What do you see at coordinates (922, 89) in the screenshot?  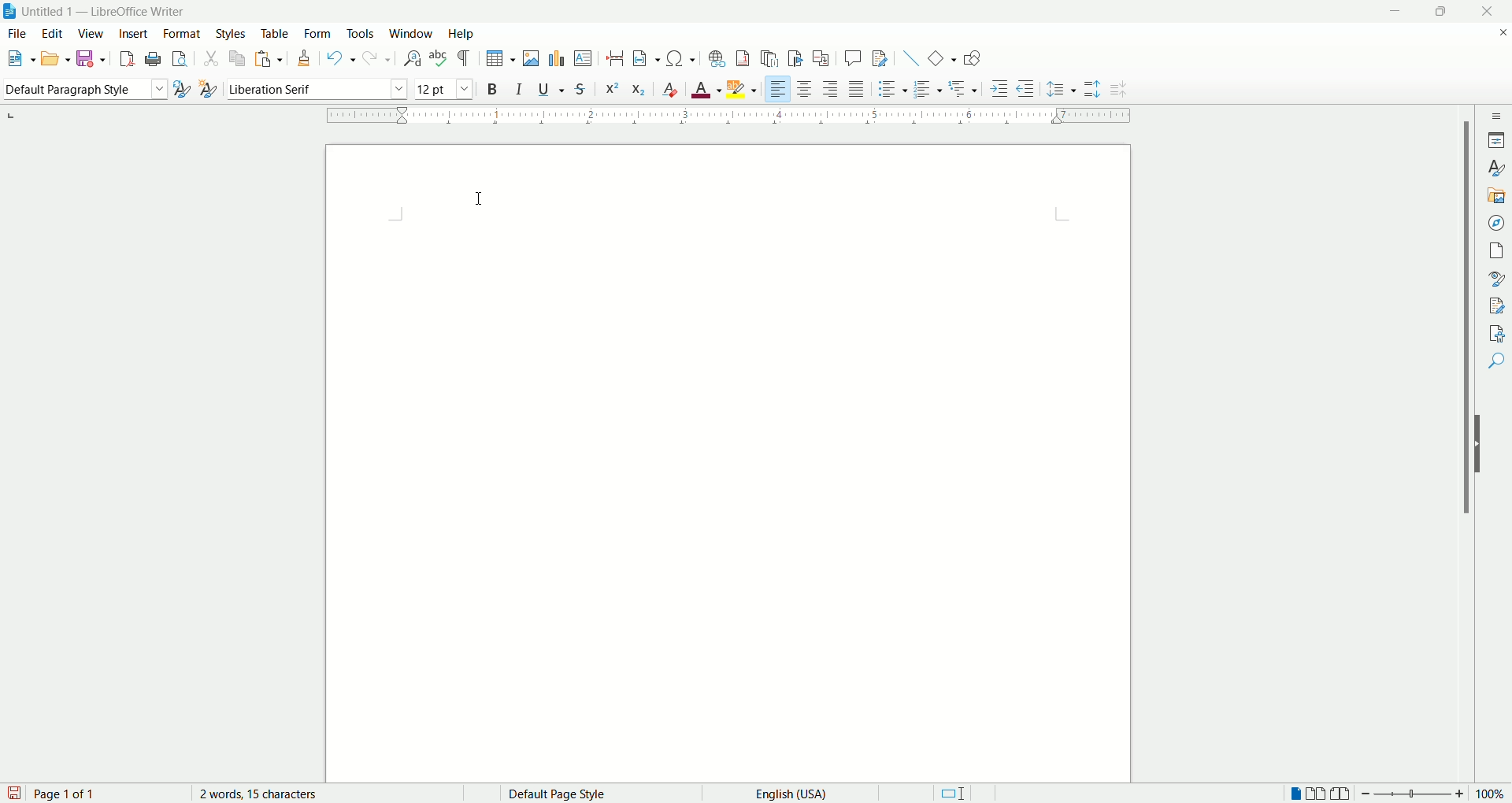 I see `ordered list` at bounding box center [922, 89].